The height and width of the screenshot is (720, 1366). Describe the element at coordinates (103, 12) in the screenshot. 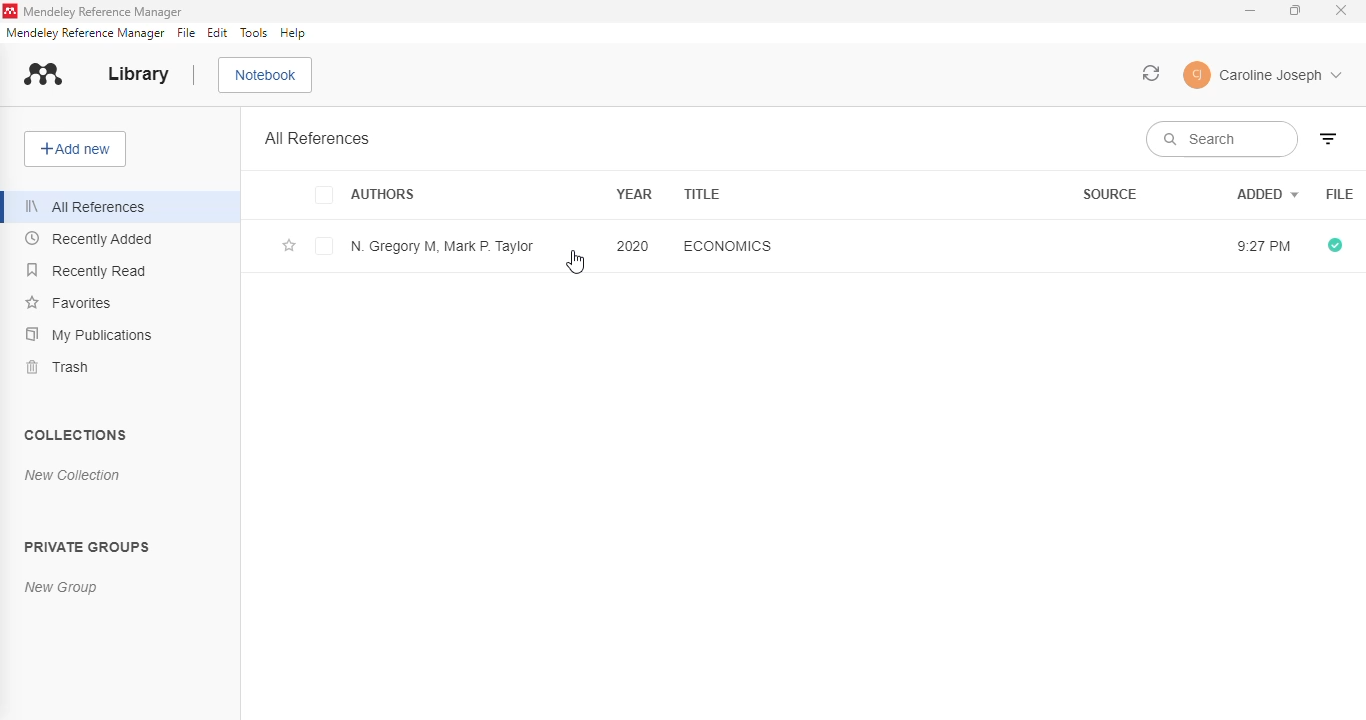

I see `mendeley reference manager` at that location.